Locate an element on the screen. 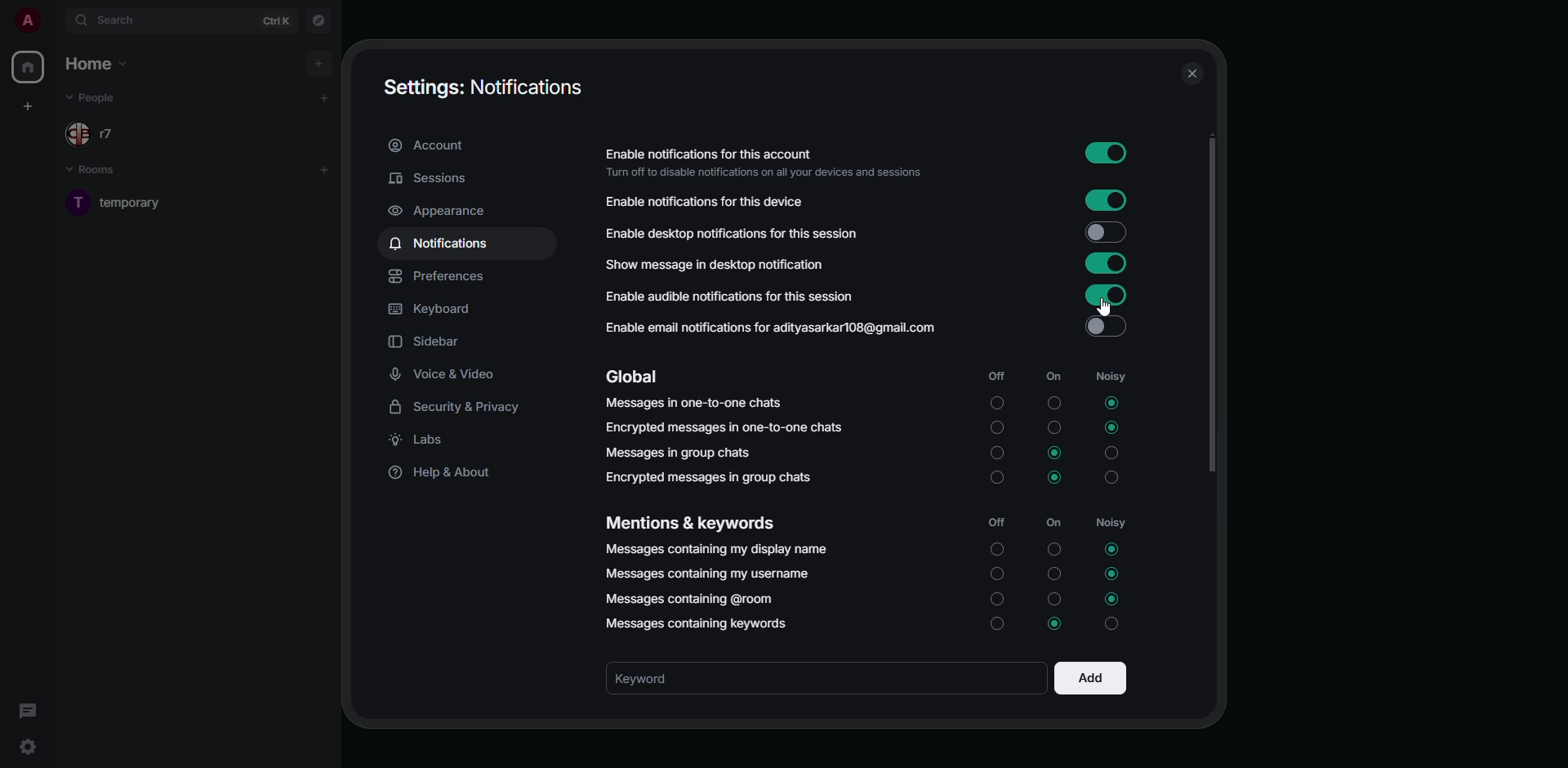 The height and width of the screenshot is (768, 1568). add is located at coordinates (317, 64).